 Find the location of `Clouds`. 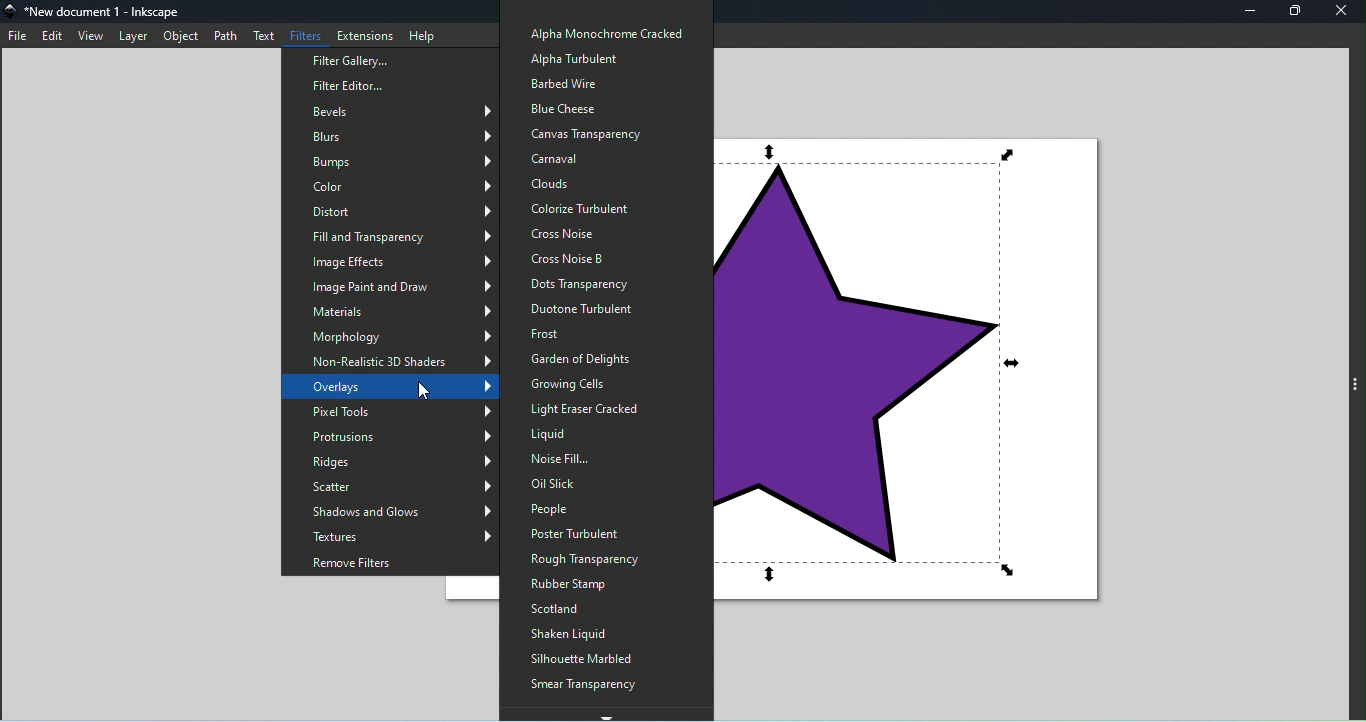

Clouds is located at coordinates (597, 183).